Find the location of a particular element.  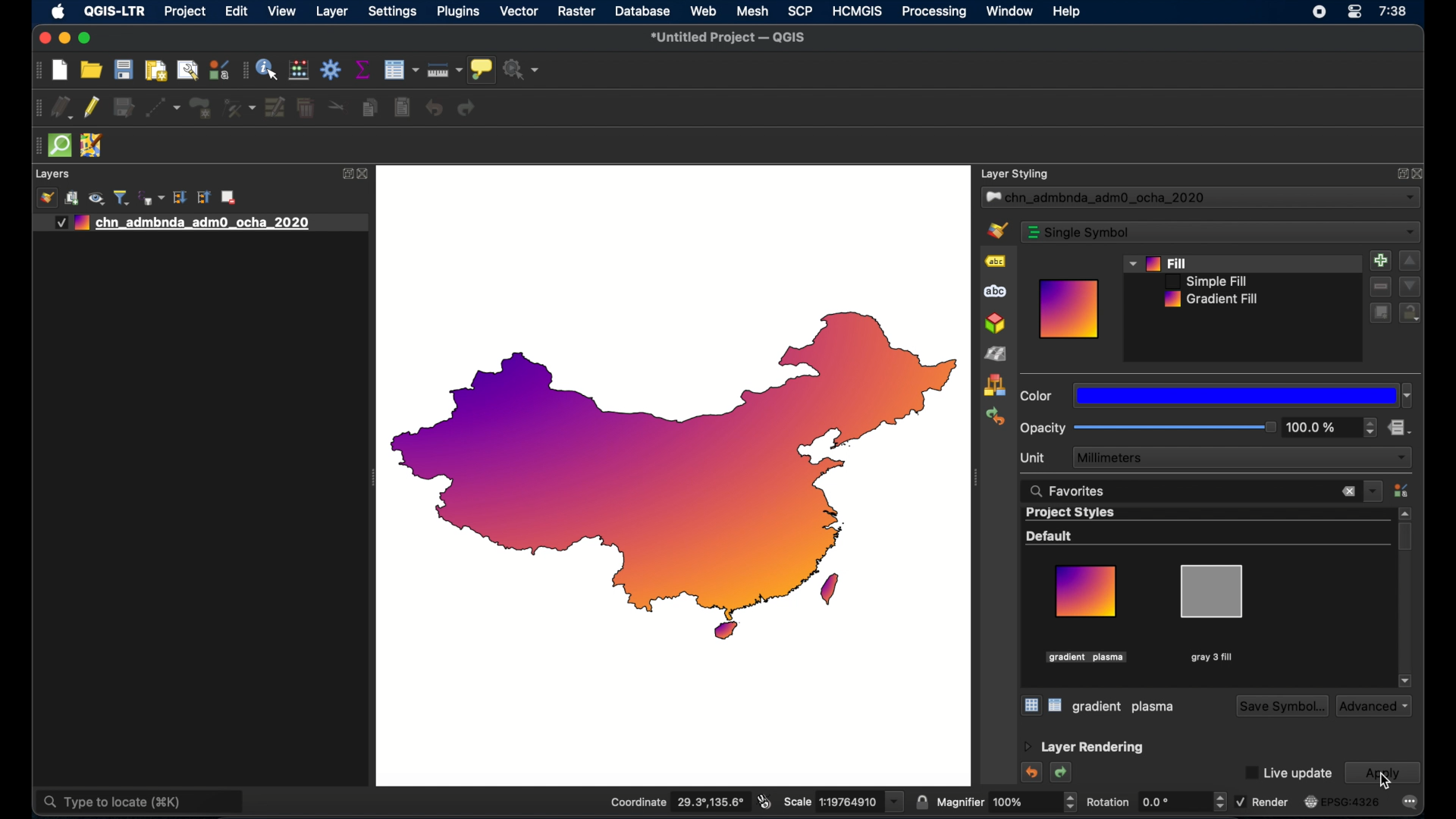

shading renderer is located at coordinates (997, 355).